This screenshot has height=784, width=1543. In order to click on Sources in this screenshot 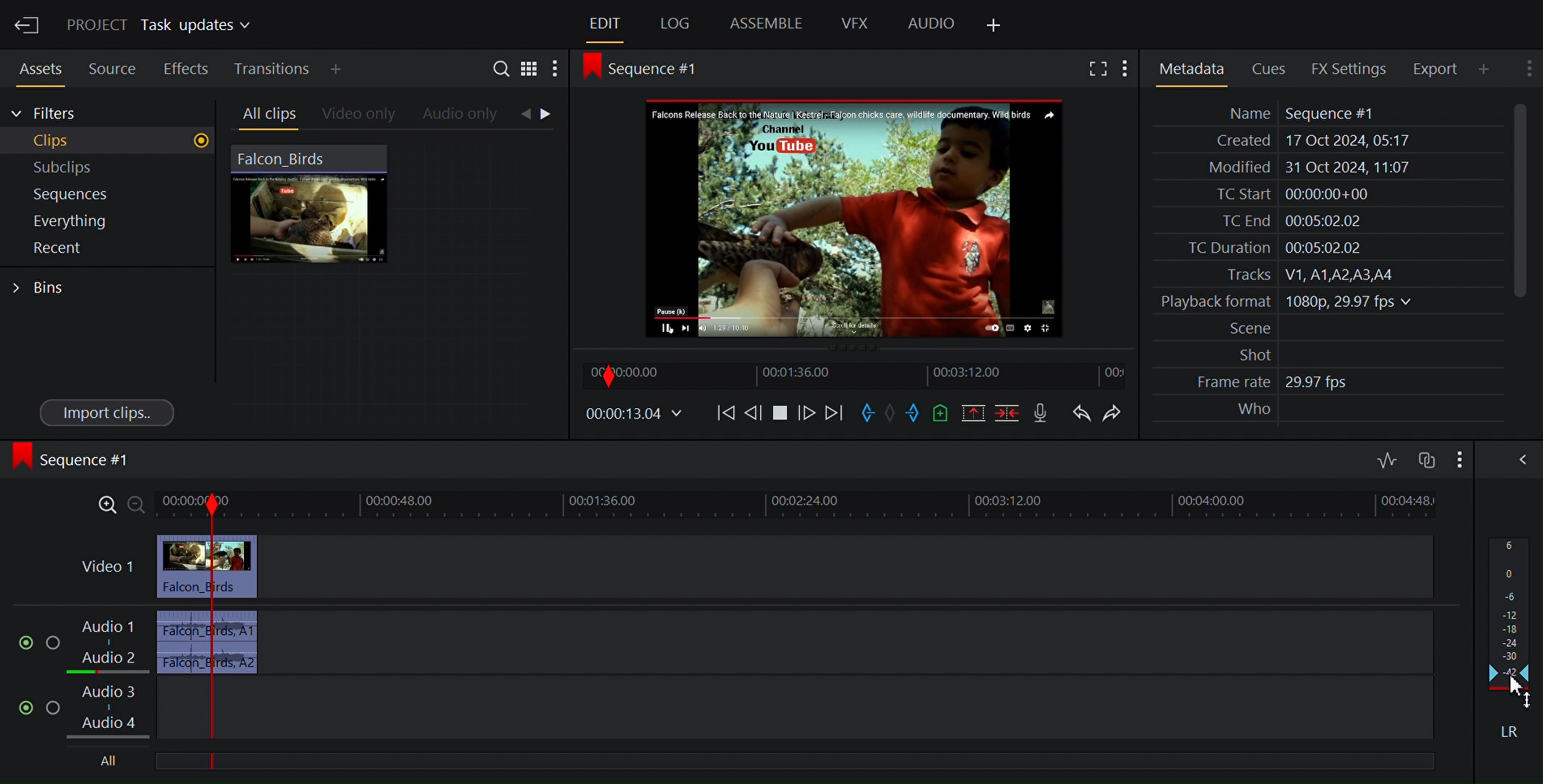, I will do `click(109, 70)`.